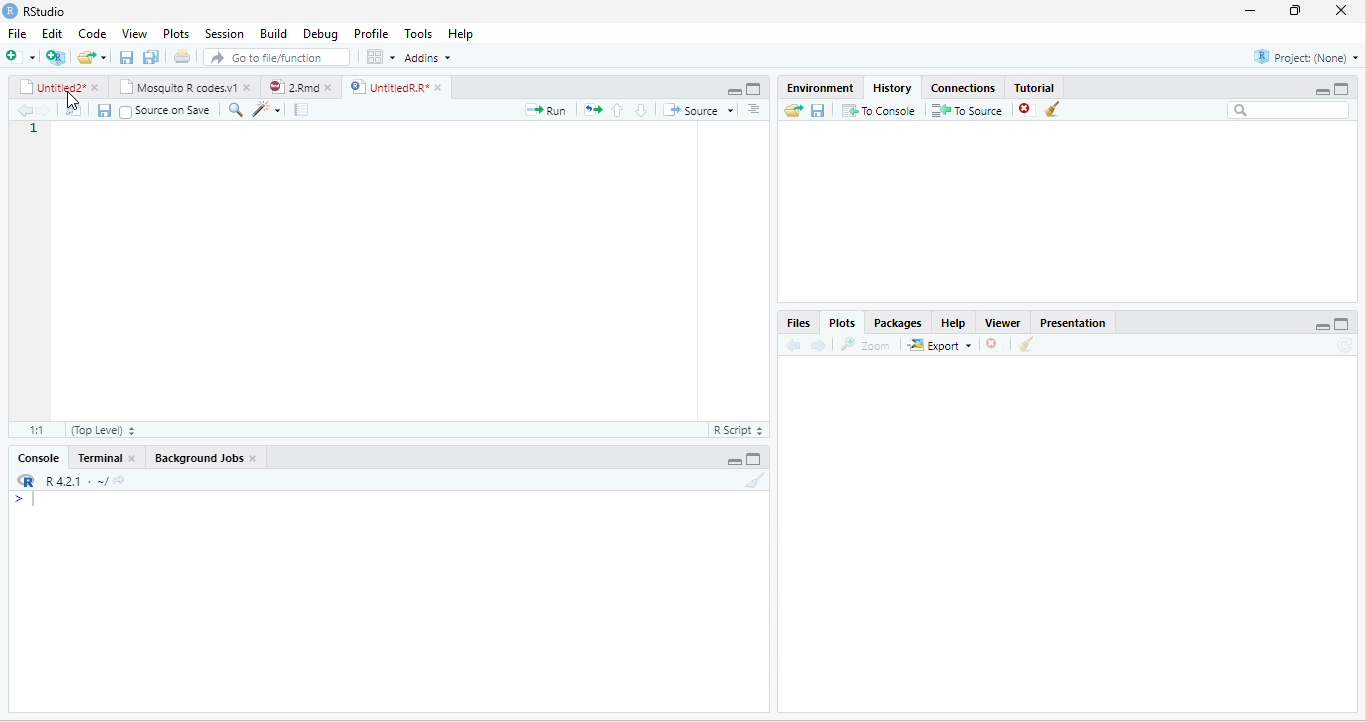 Image resolution: width=1366 pixels, height=722 pixels. What do you see at coordinates (735, 432) in the screenshot?
I see `R SCRIPT` at bounding box center [735, 432].